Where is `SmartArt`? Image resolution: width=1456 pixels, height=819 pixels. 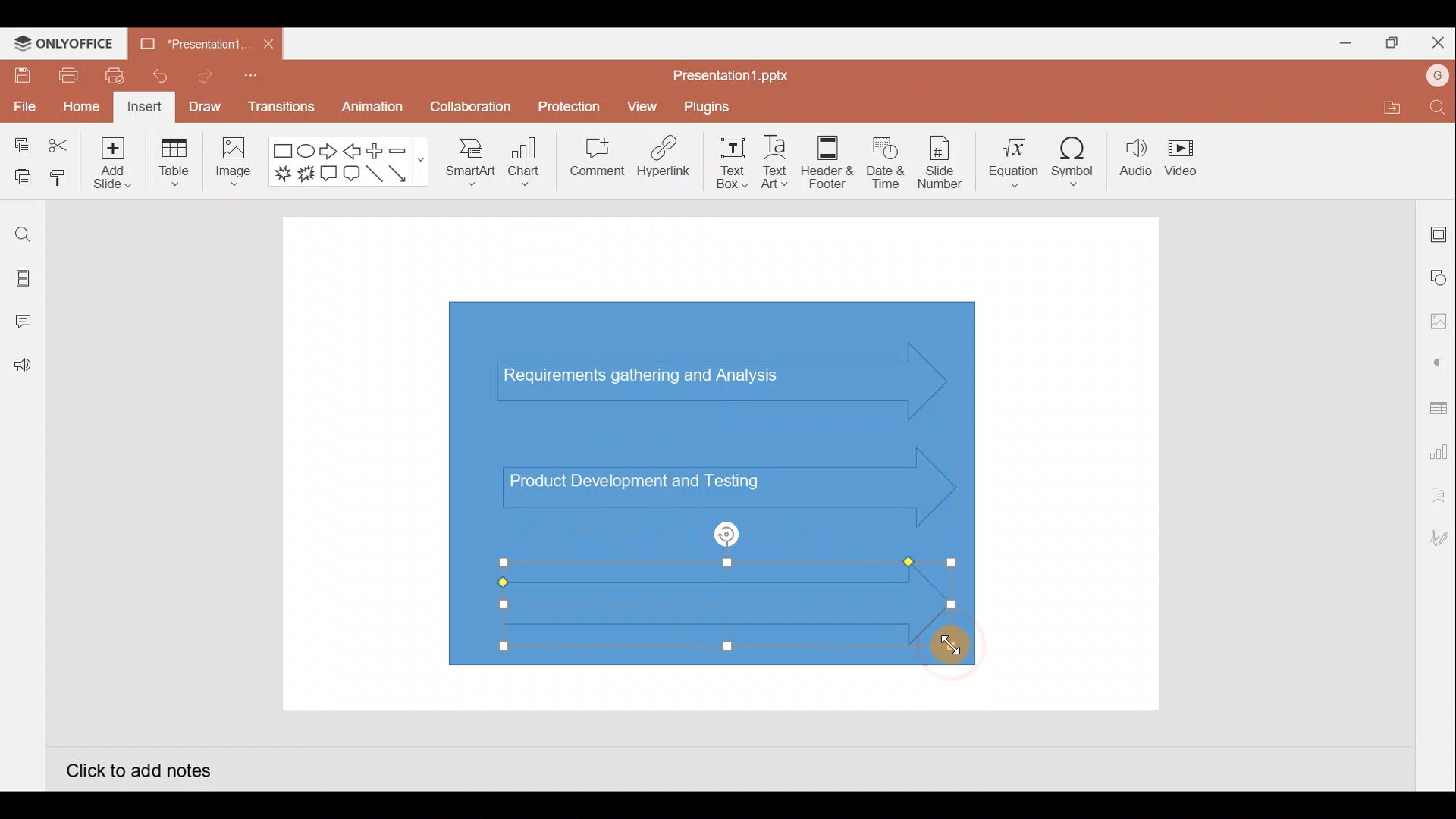
SmartArt is located at coordinates (469, 159).